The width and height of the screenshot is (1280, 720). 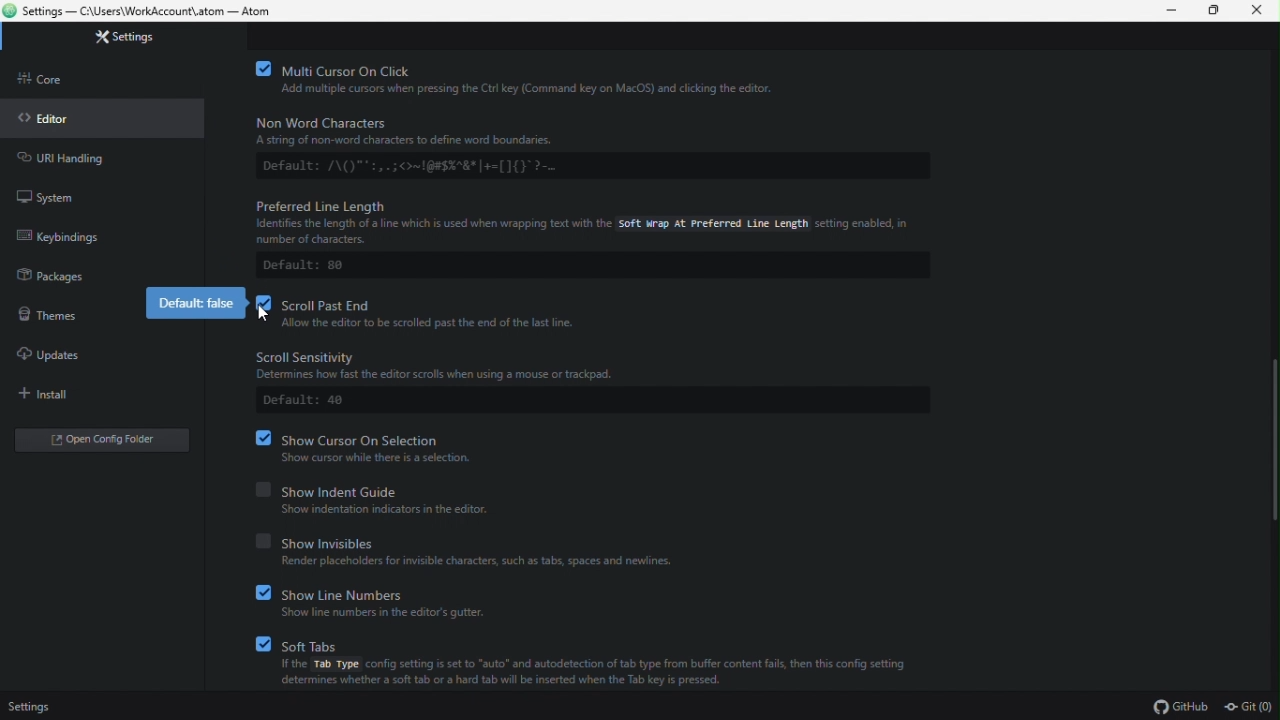 I want to click on System, so click(x=55, y=197).